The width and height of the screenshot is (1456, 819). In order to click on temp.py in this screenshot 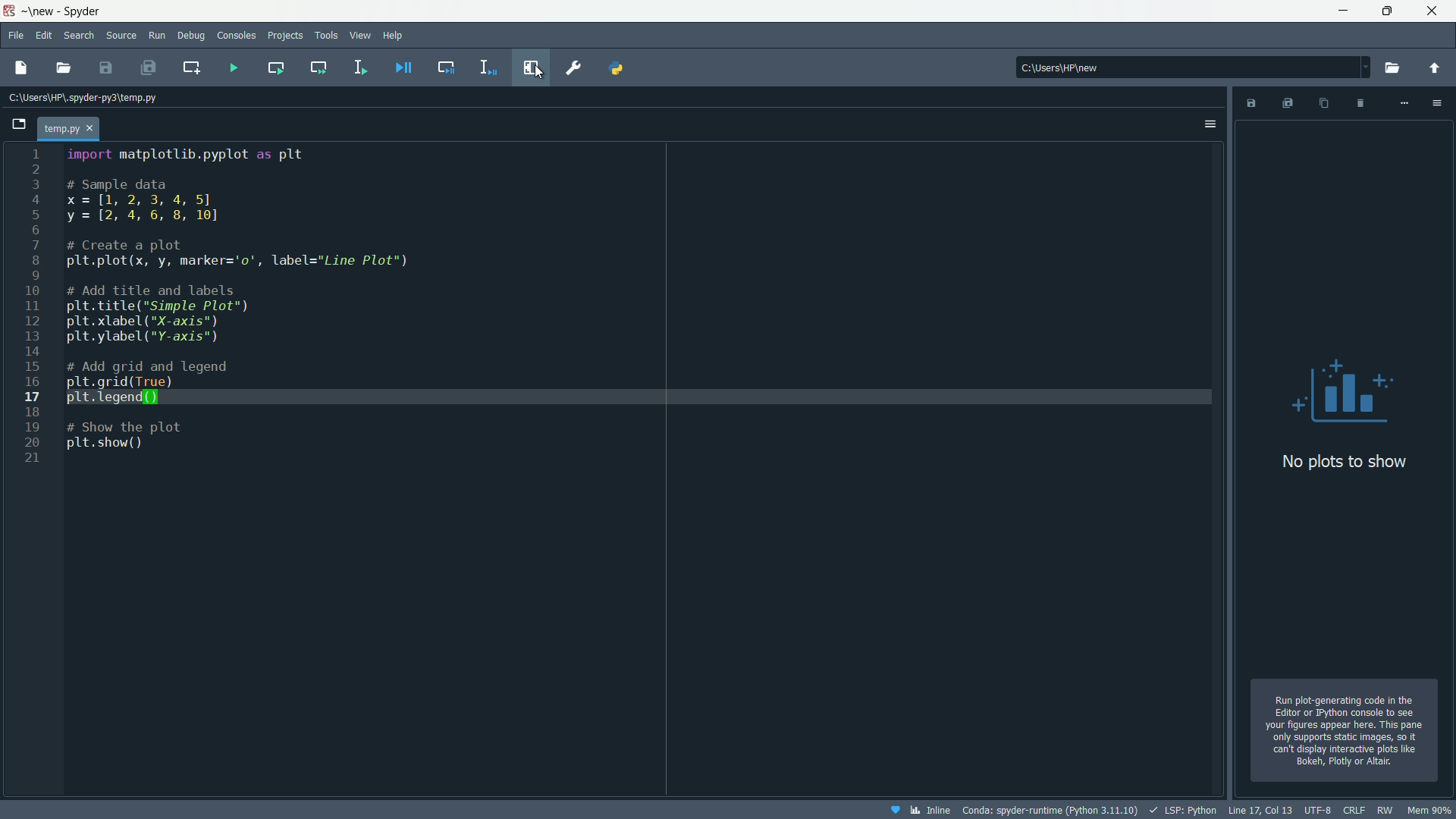, I will do `click(60, 128)`.